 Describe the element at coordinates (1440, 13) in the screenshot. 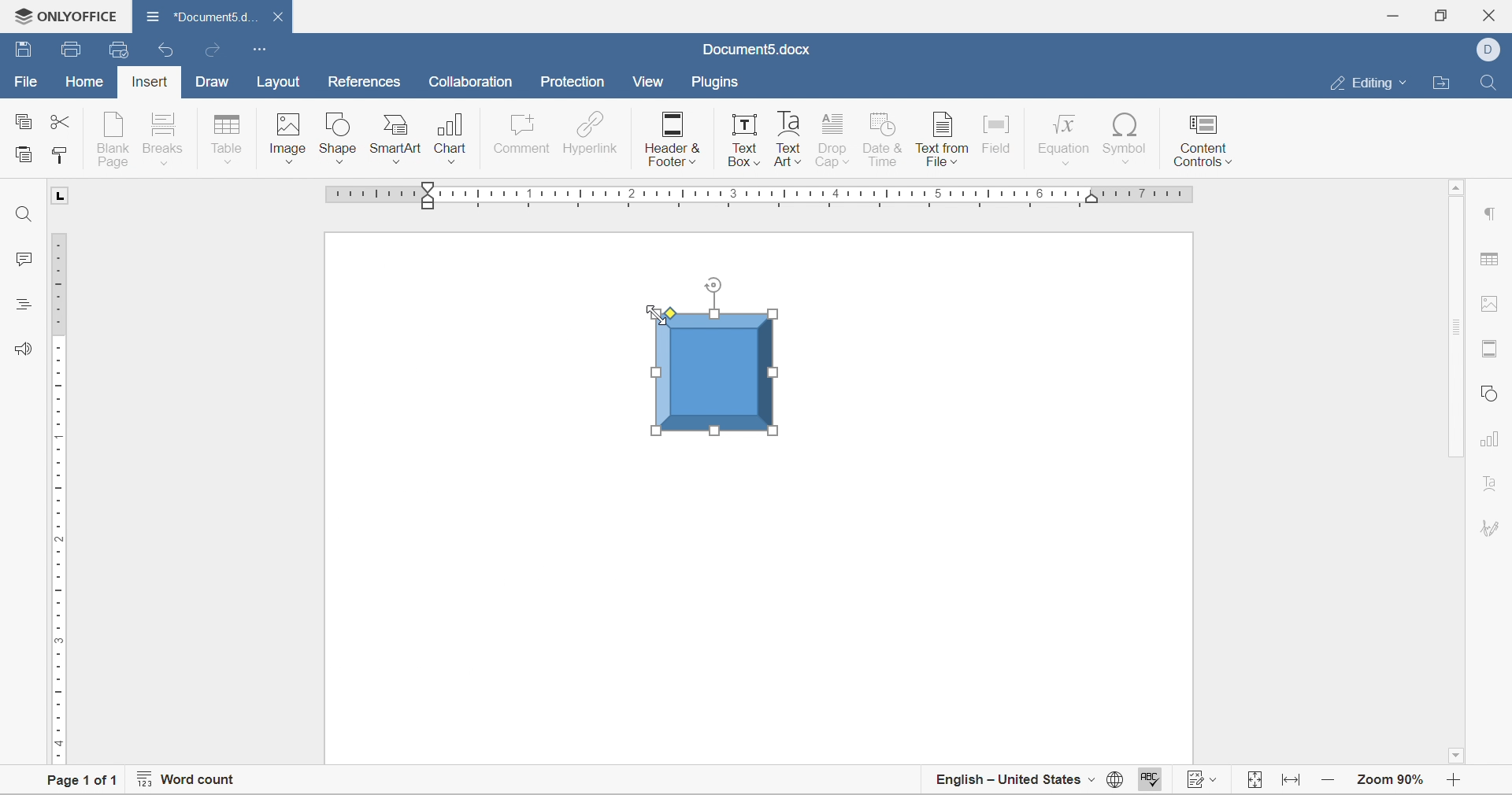

I see `restore down` at that location.